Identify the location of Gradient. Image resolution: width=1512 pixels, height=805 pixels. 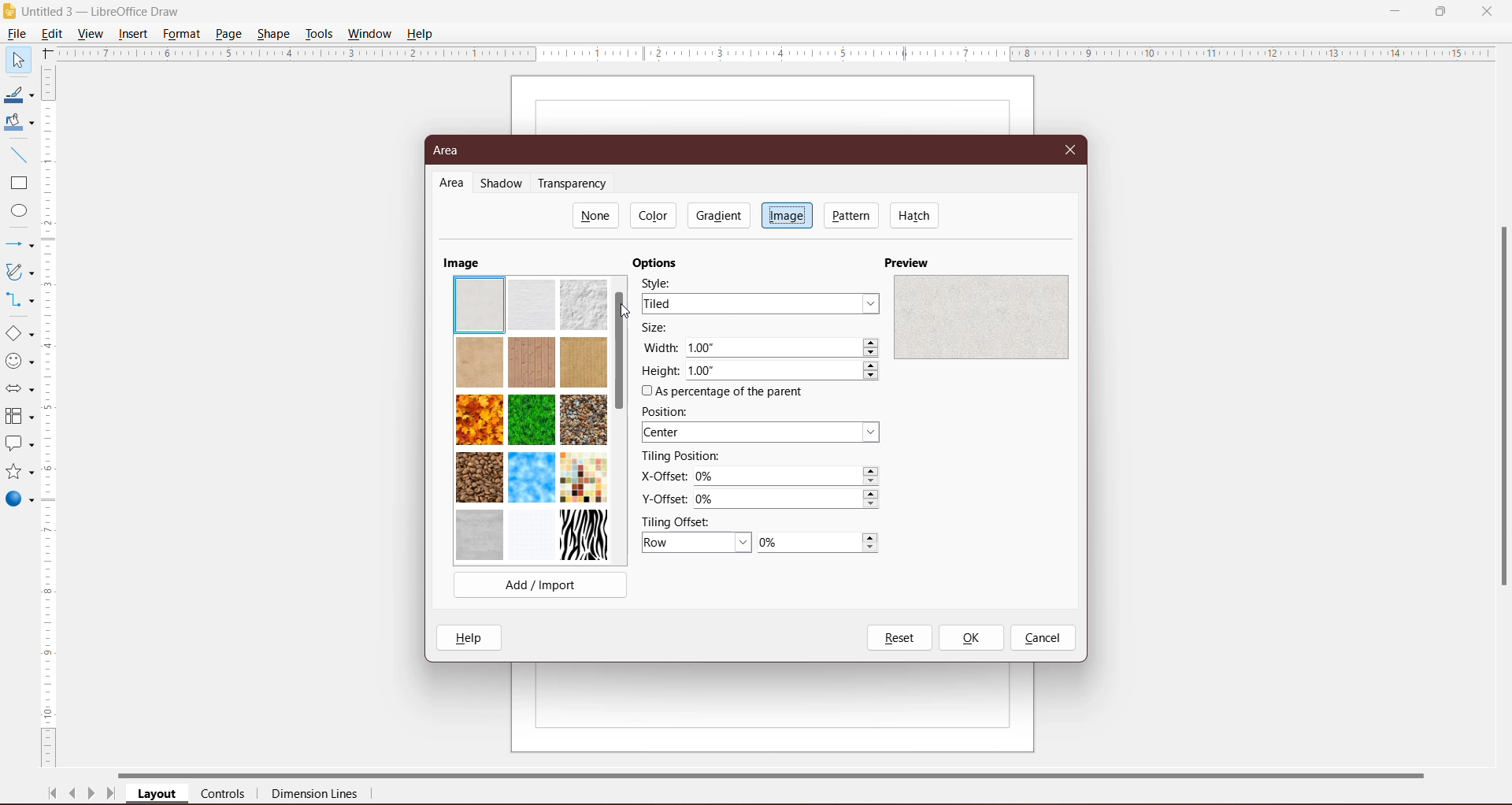
(717, 215).